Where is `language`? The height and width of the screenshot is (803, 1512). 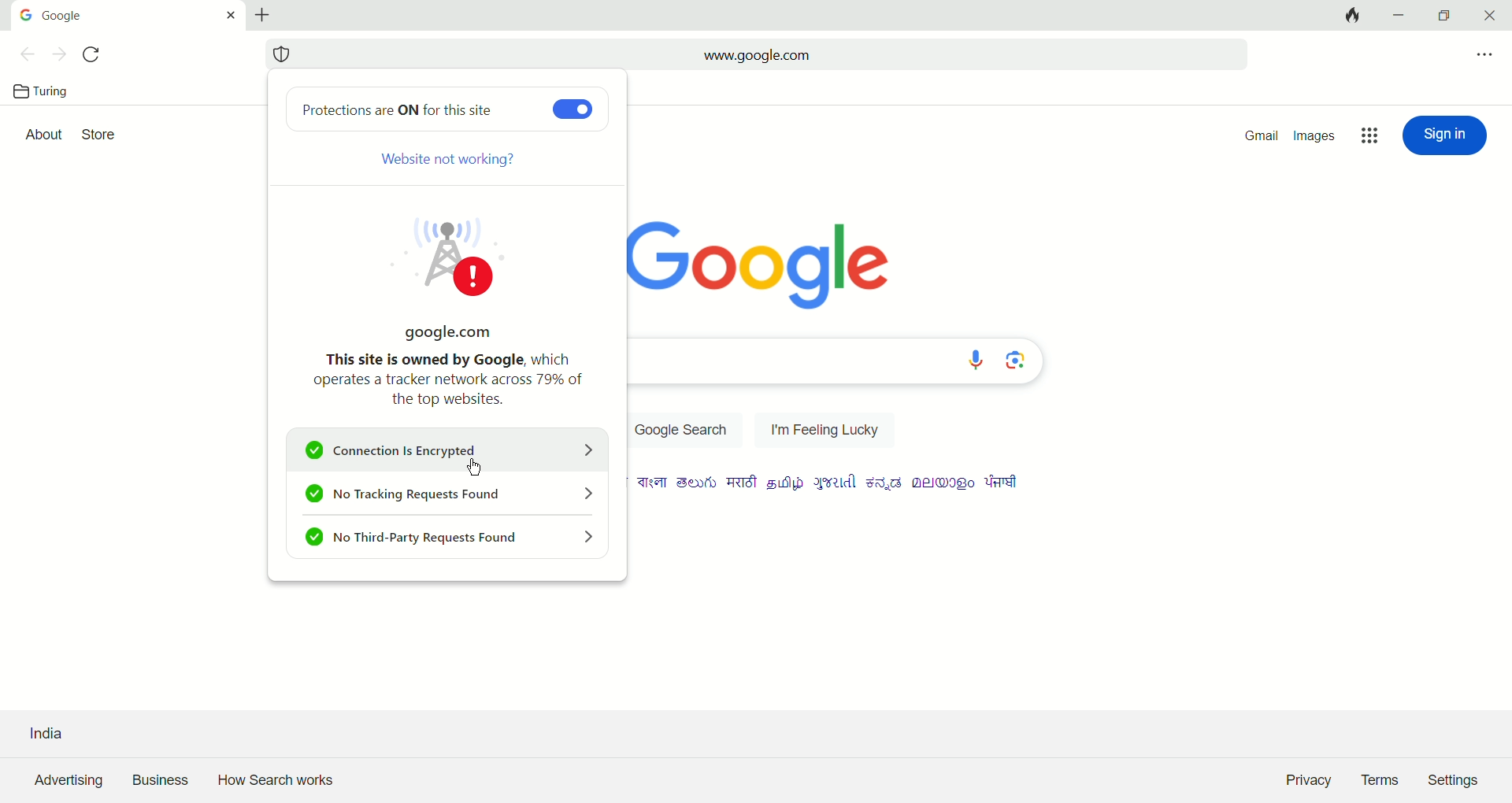 language is located at coordinates (835, 483).